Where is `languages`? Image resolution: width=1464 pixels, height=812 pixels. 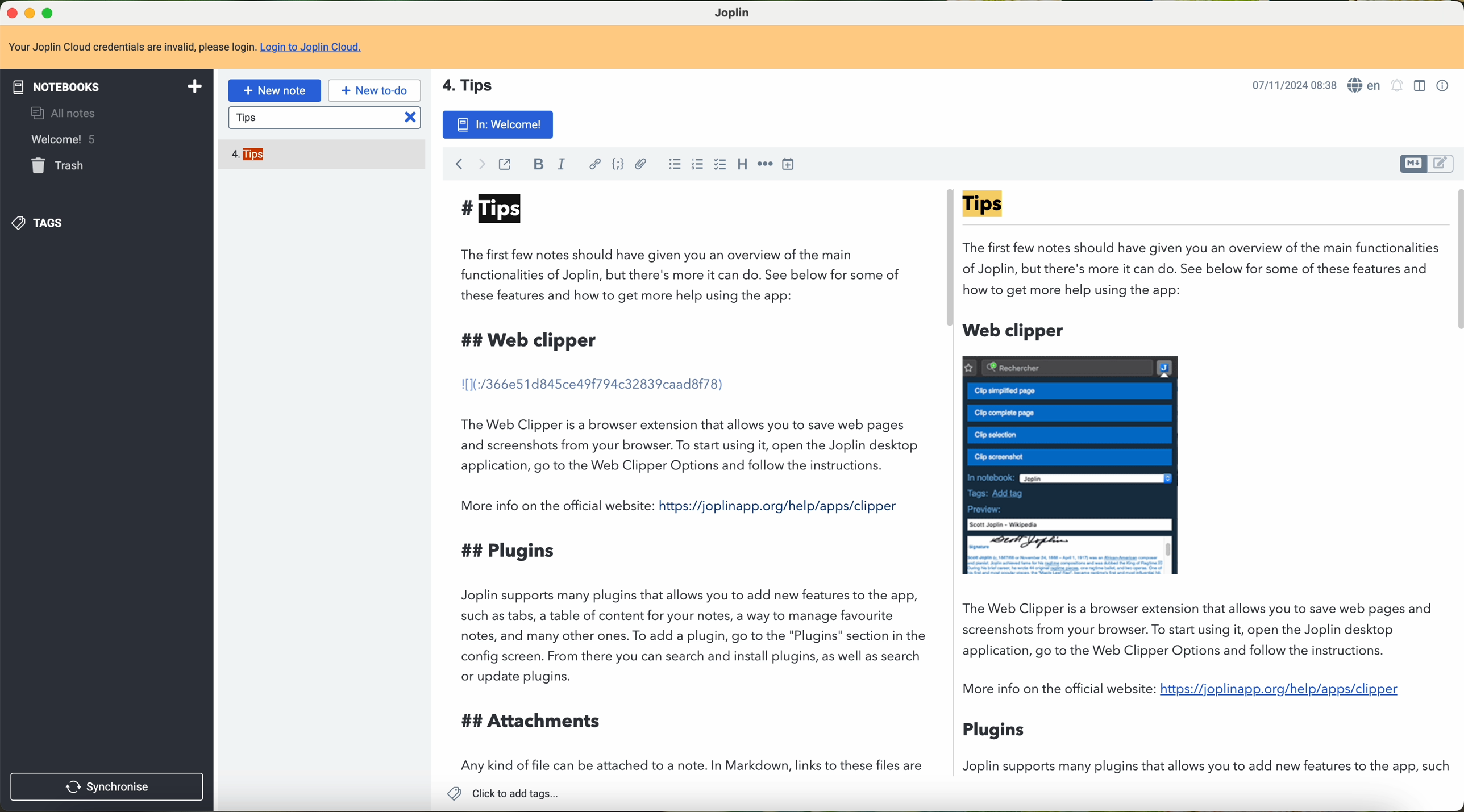 languages is located at coordinates (1365, 86).